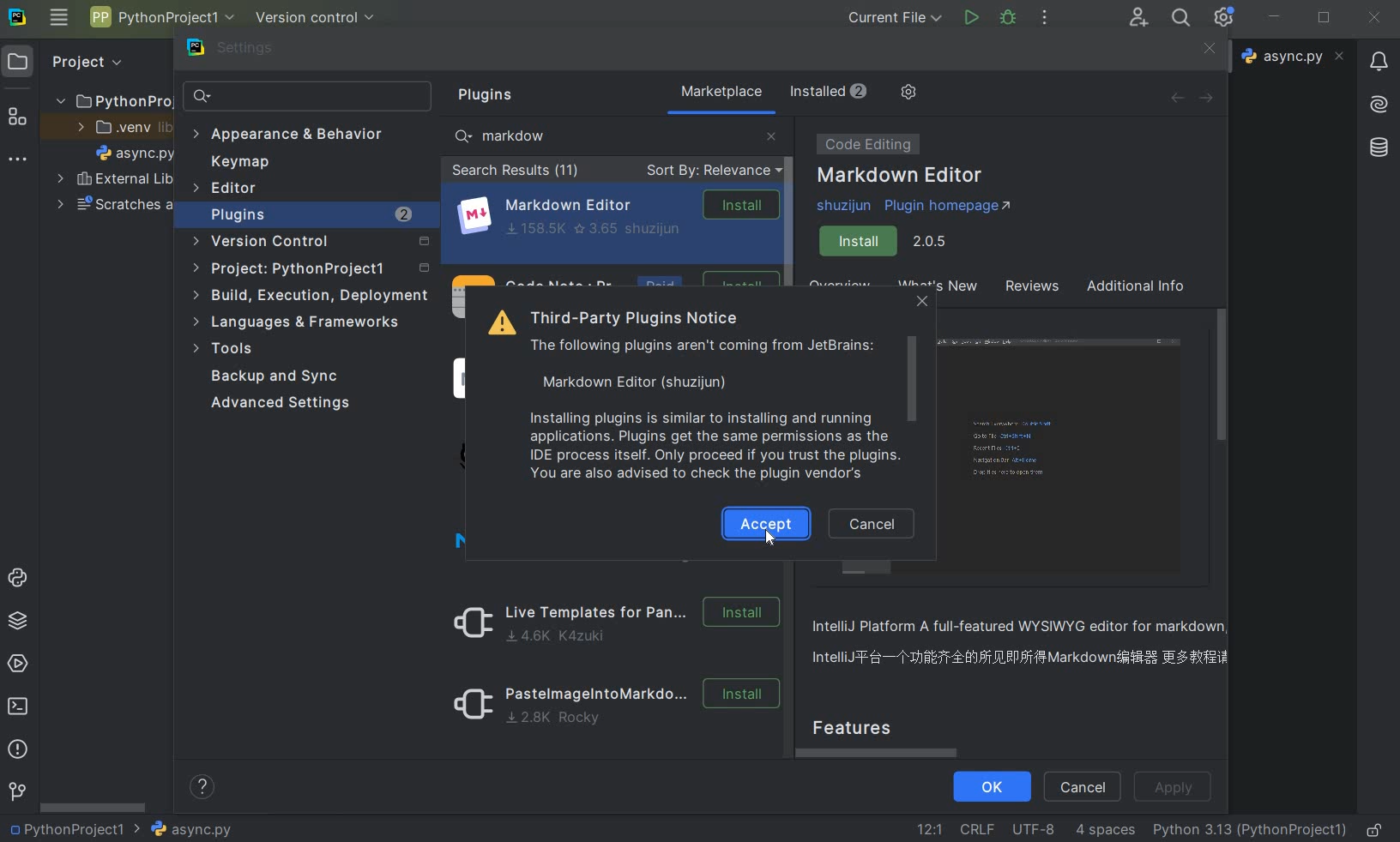 Image resolution: width=1400 pixels, height=842 pixels. Describe the element at coordinates (312, 215) in the screenshot. I see `plugins` at that location.